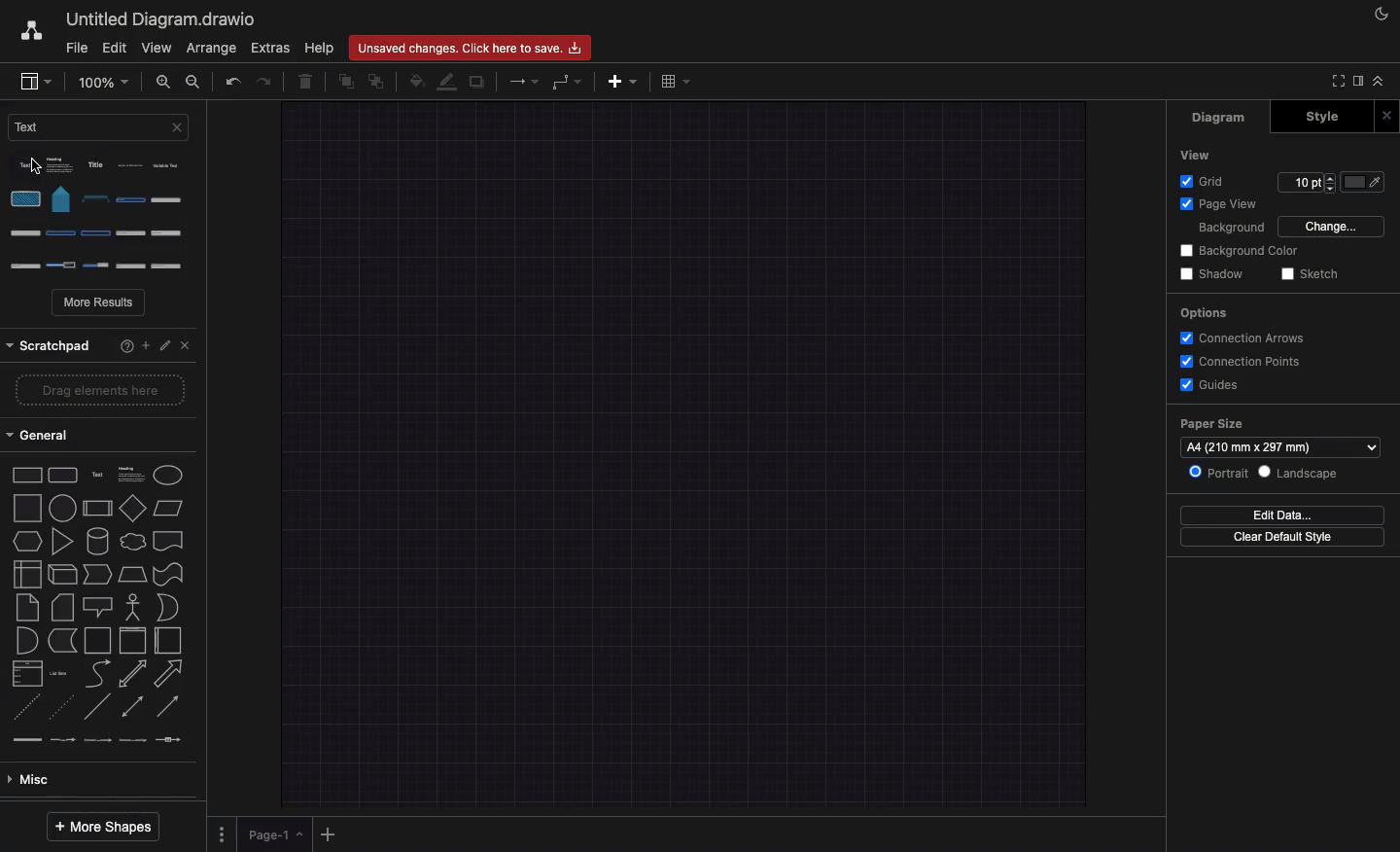 This screenshot has height=852, width=1400. Describe the element at coordinates (1230, 228) in the screenshot. I see `Background` at that location.